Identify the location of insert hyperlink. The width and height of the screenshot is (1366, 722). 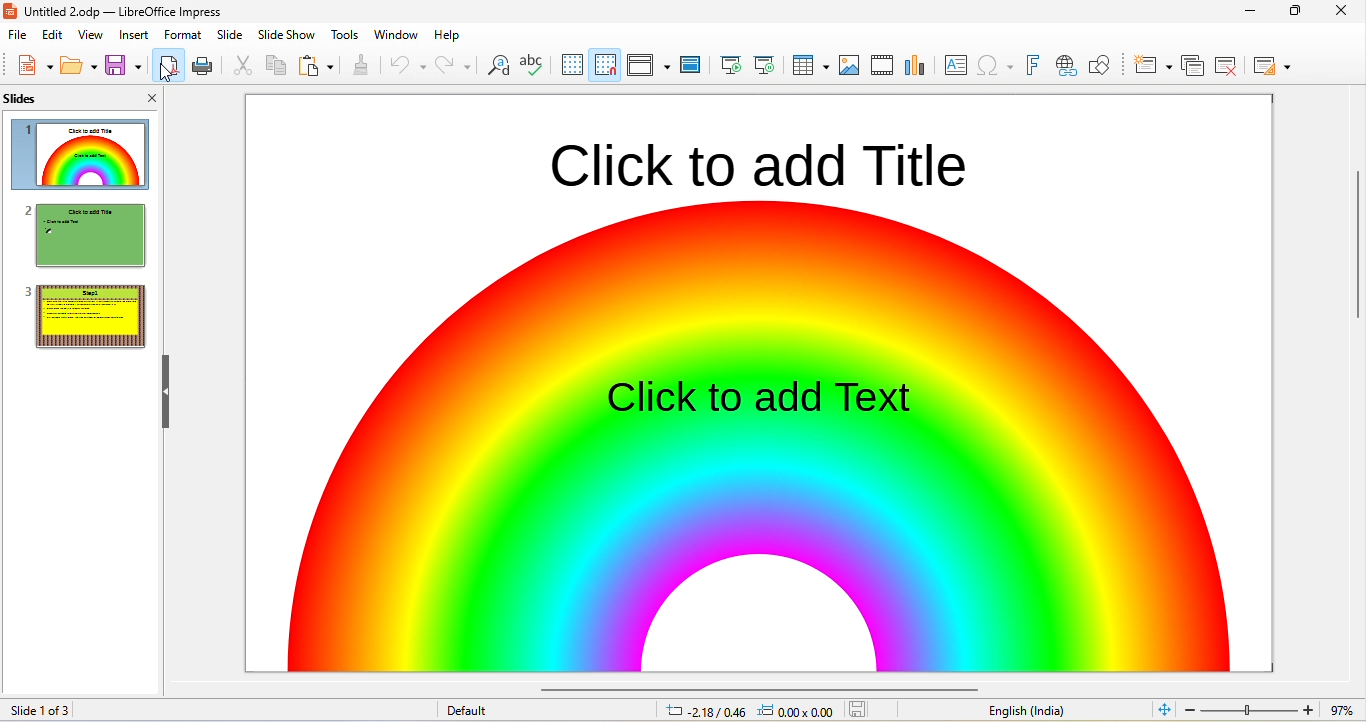
(996, 63).